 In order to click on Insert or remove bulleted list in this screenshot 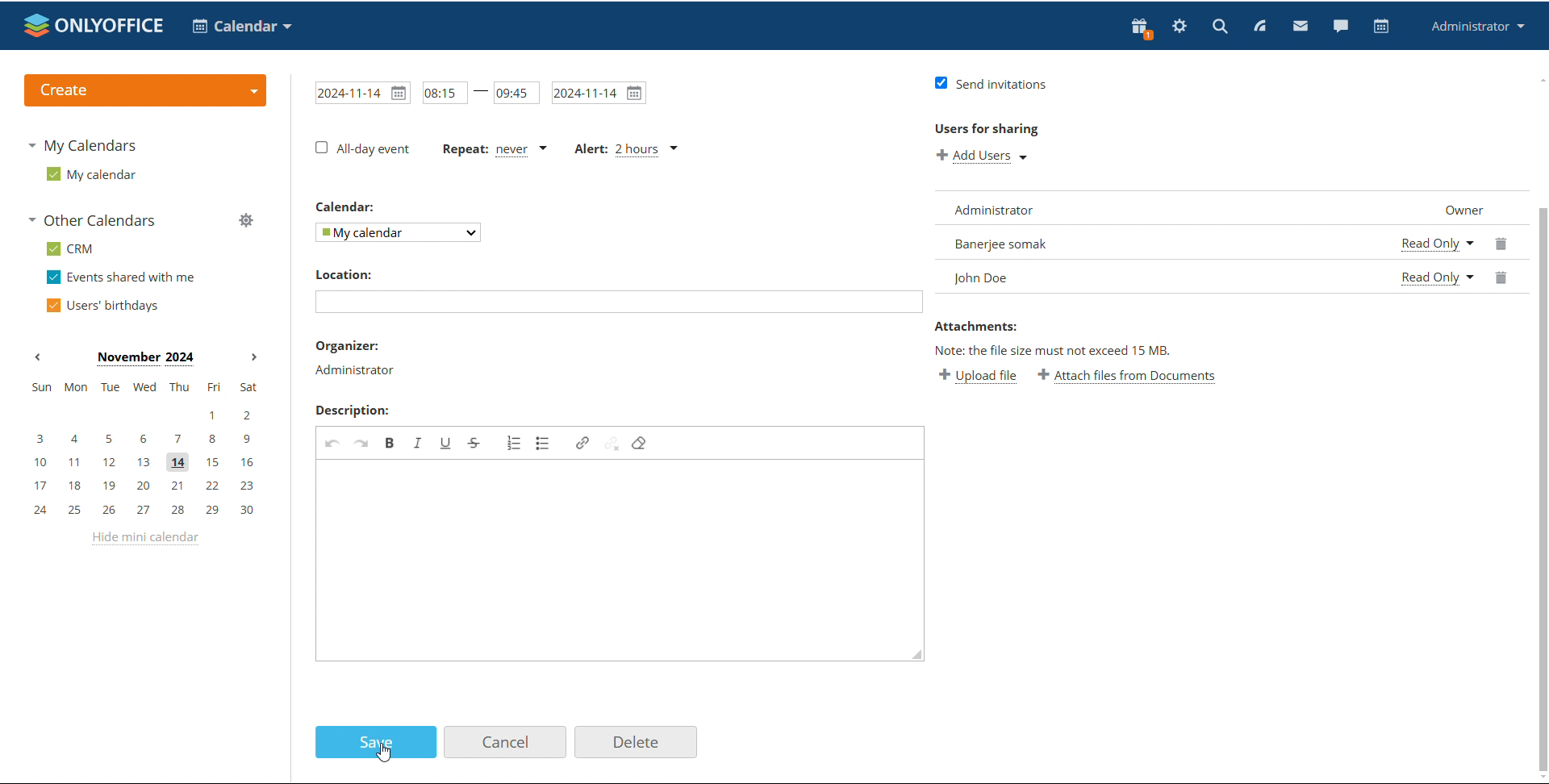, I will do `click(544, 444)`.